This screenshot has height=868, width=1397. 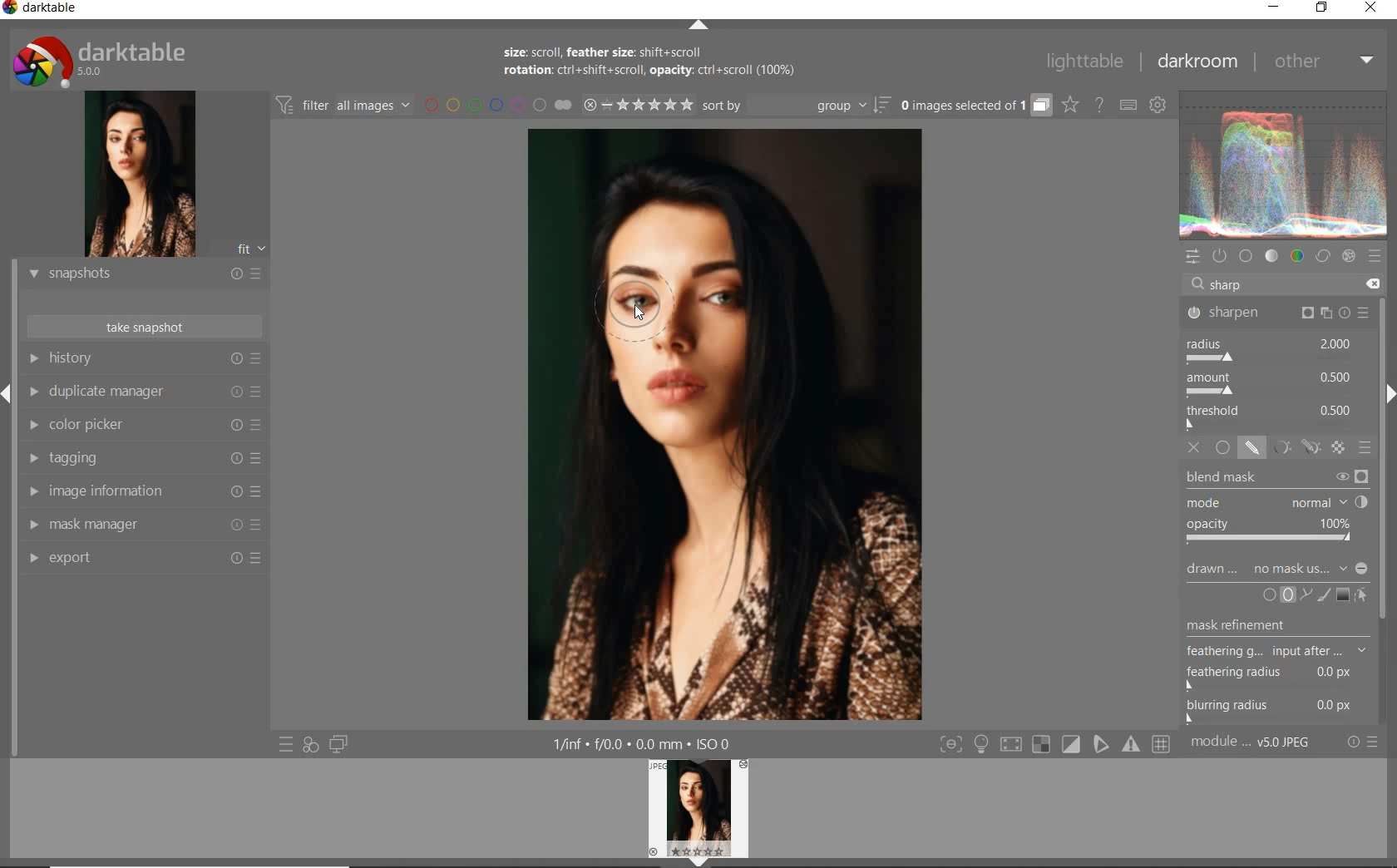 What do you see at coordinates (1054, 744) in the screenshot?
I see `Toggle modes` at bounding box center [1054, 744].